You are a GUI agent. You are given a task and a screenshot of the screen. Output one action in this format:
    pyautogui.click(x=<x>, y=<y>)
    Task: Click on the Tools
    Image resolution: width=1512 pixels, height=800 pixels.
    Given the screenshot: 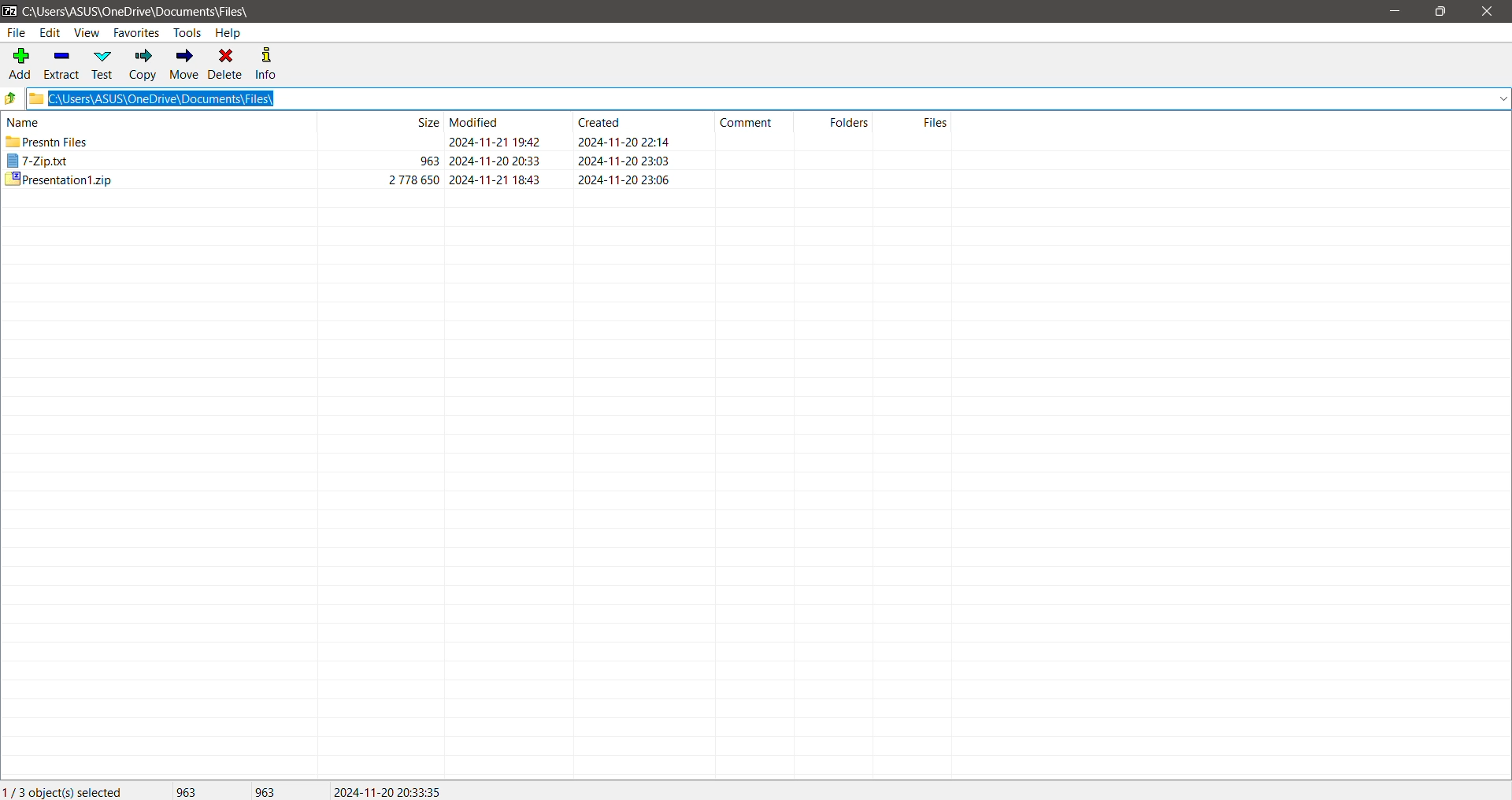 What is the action you would take?
    pyautogui.click(x=187, y=33)
    